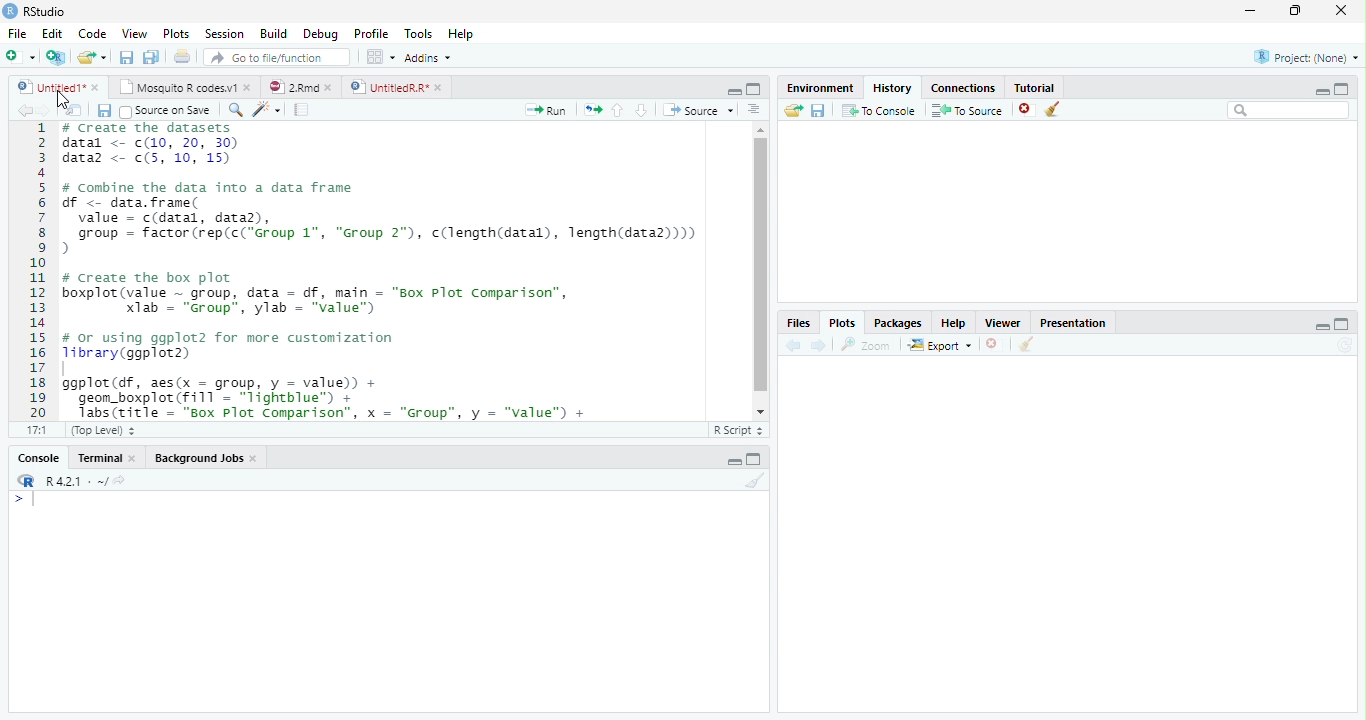 This screenshot has width=1366, height=720. Describe the element at coordinates (85, 57) in the screenshot. I see `Open an existing file` at that location.